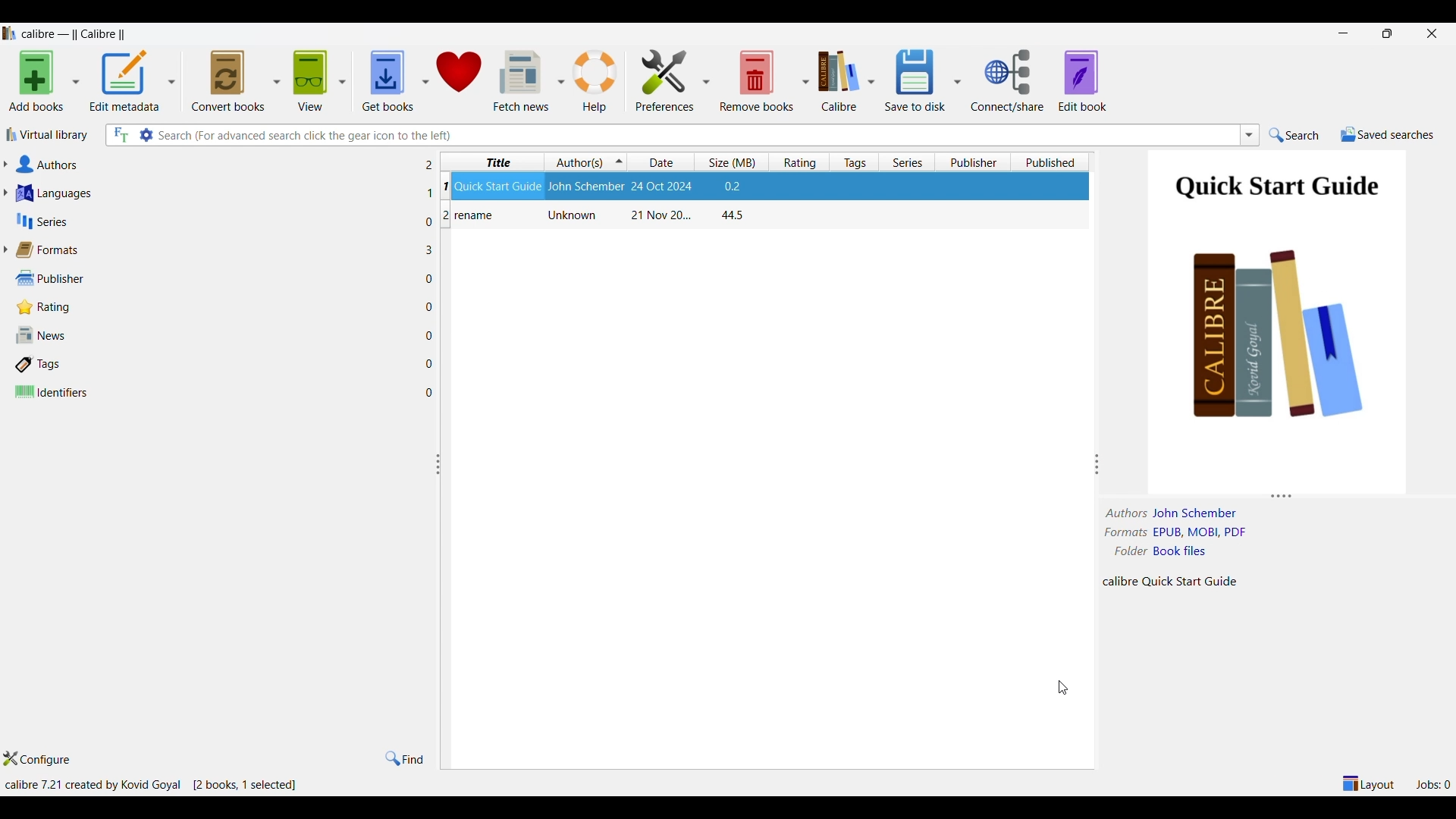 The image size is (1456, 819). What do you see at coordinates (1388, 135) in the screenshot?
I see `Saved searches` at bounding box center [1388, 135].